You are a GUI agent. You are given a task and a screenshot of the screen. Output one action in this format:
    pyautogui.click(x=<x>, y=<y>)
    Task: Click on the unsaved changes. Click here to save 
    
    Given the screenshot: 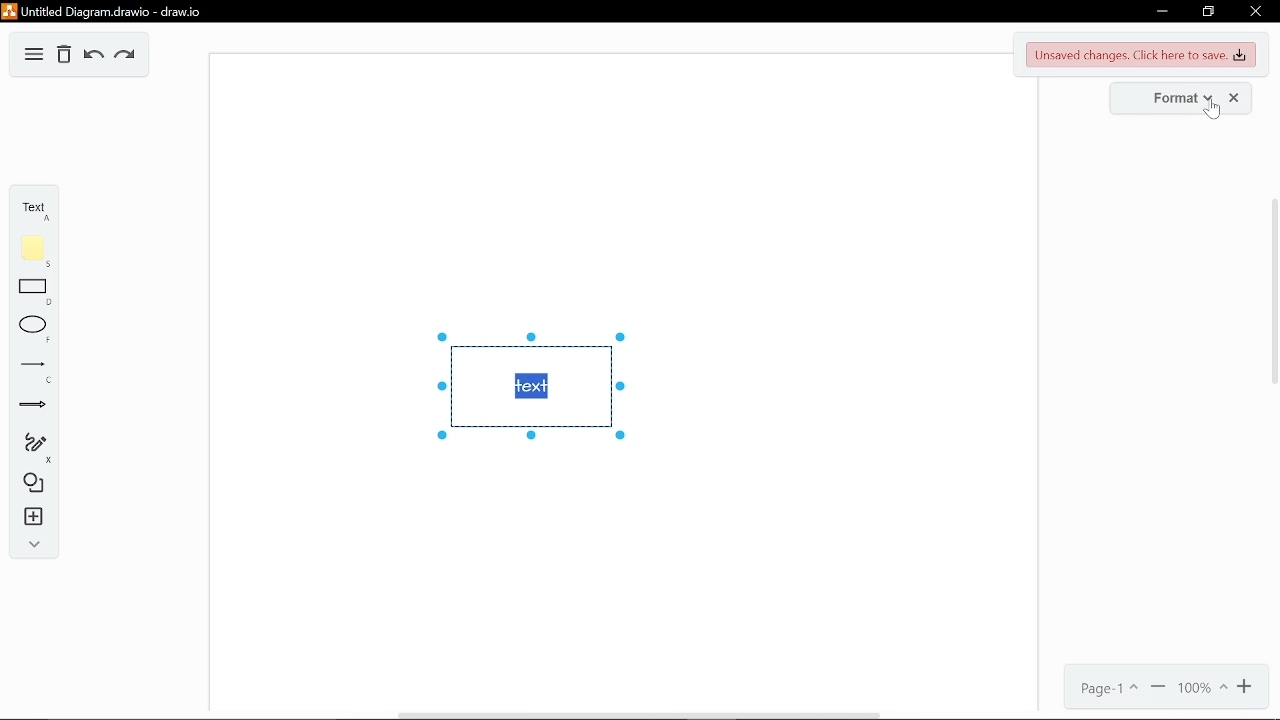 What is the action you would take?
    pyautogui.click(x=1138, y=55)
    